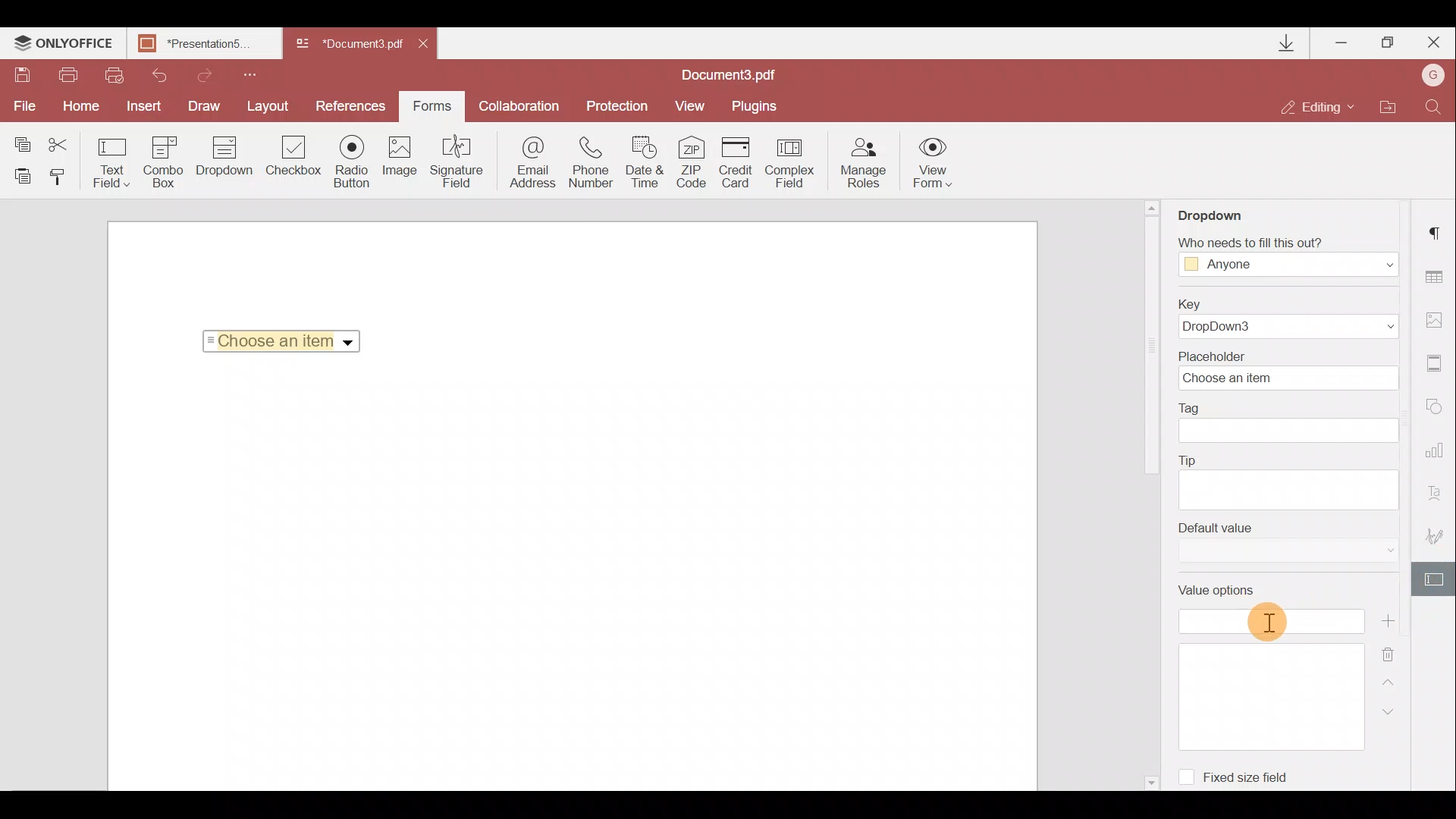  Describe the element at coordinates (1289, 43) in the screenshot. I see `Downloads` at that location.